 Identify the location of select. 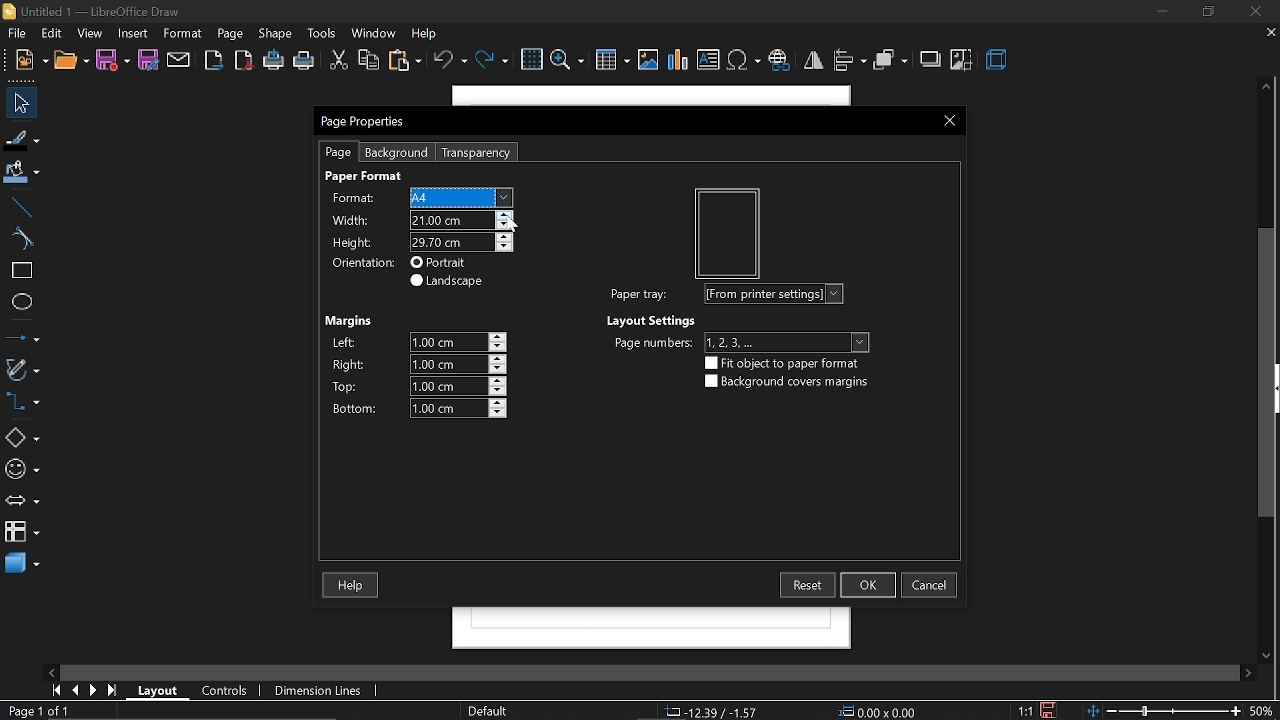
(18, 103).